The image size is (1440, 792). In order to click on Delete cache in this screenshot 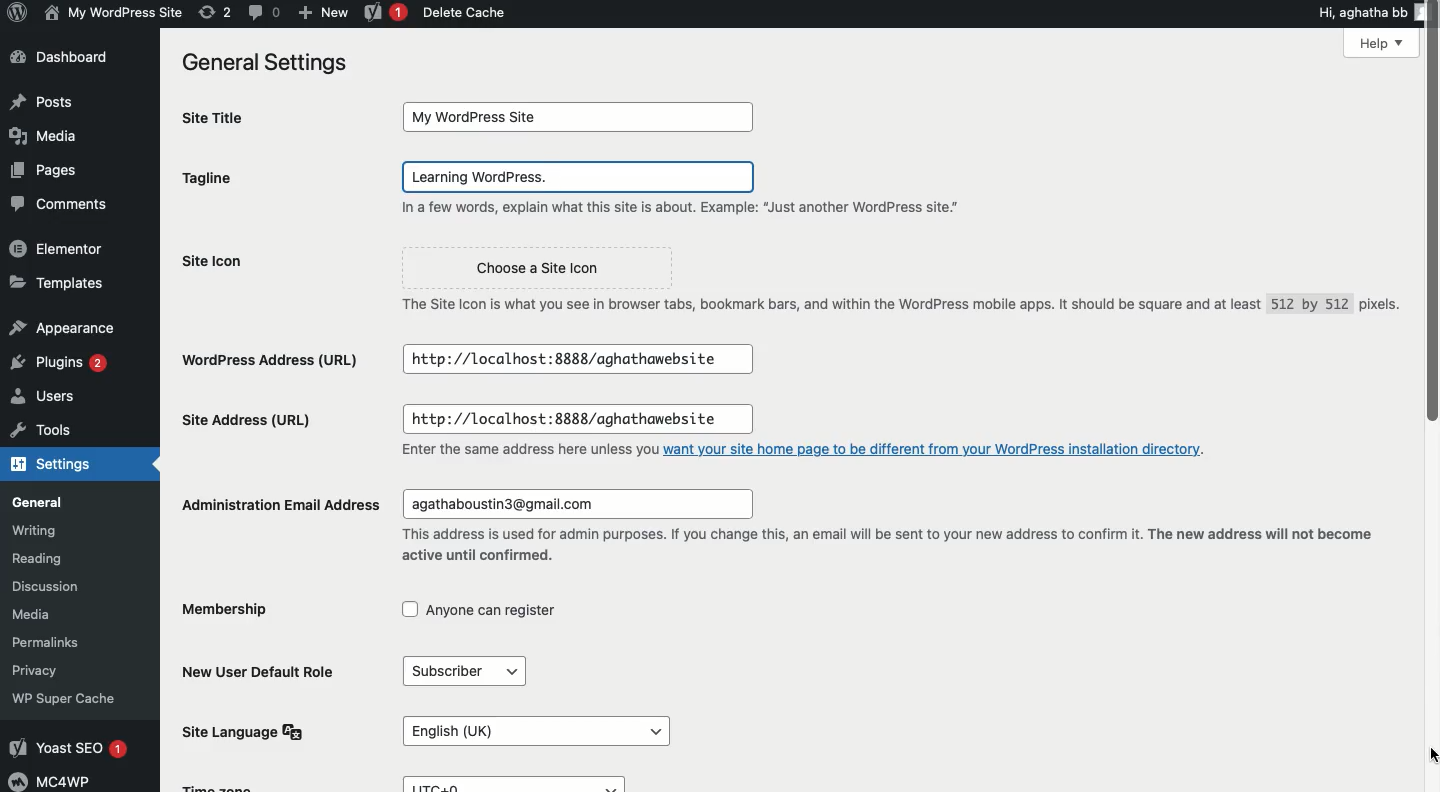, I will do `click(465, 12)`.